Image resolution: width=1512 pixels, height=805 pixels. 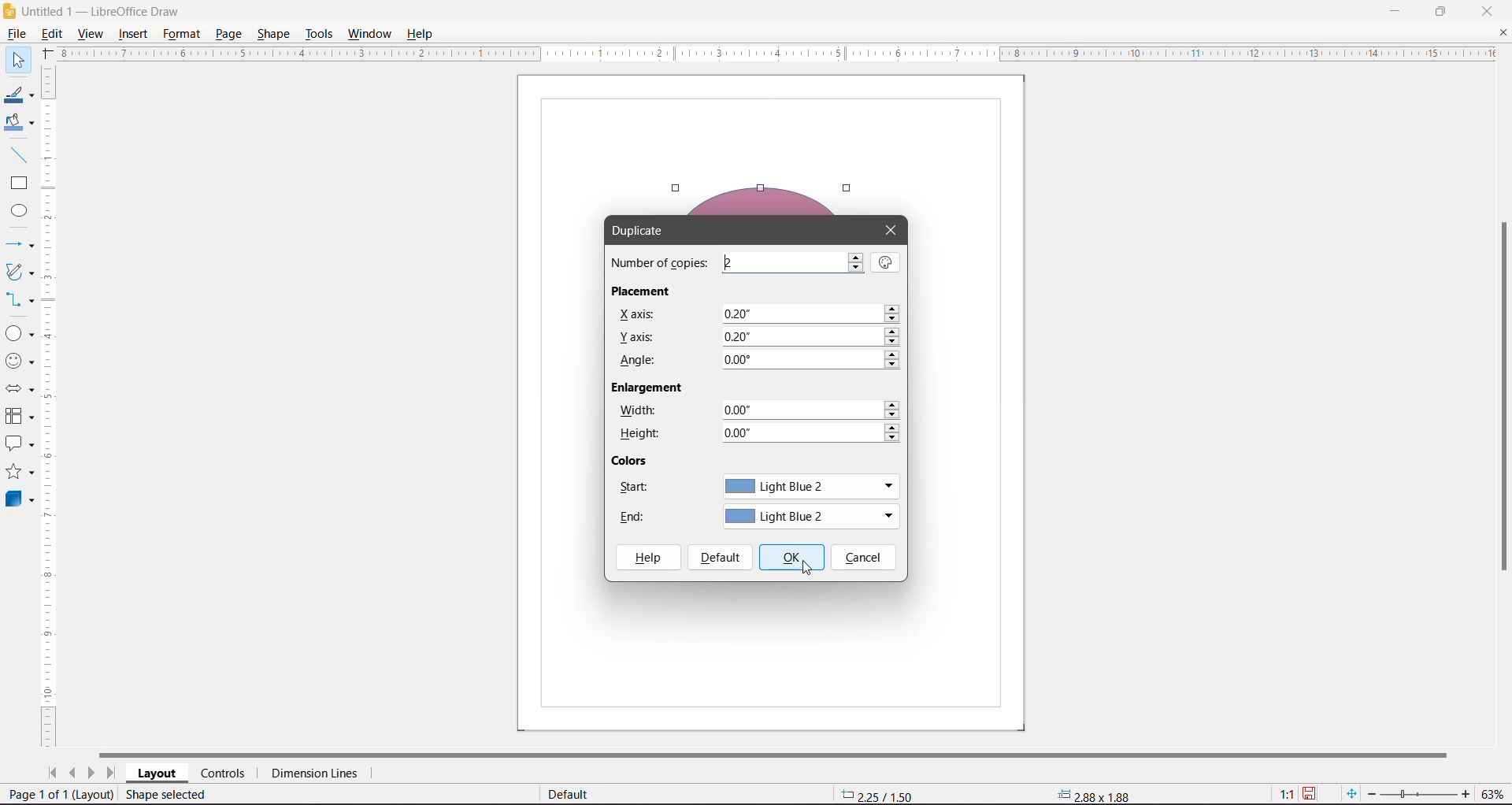 What do you see at coordinates (792, 261) in the screenshot?
I see `Set the number of copies required` at bounding box center [792, 261].